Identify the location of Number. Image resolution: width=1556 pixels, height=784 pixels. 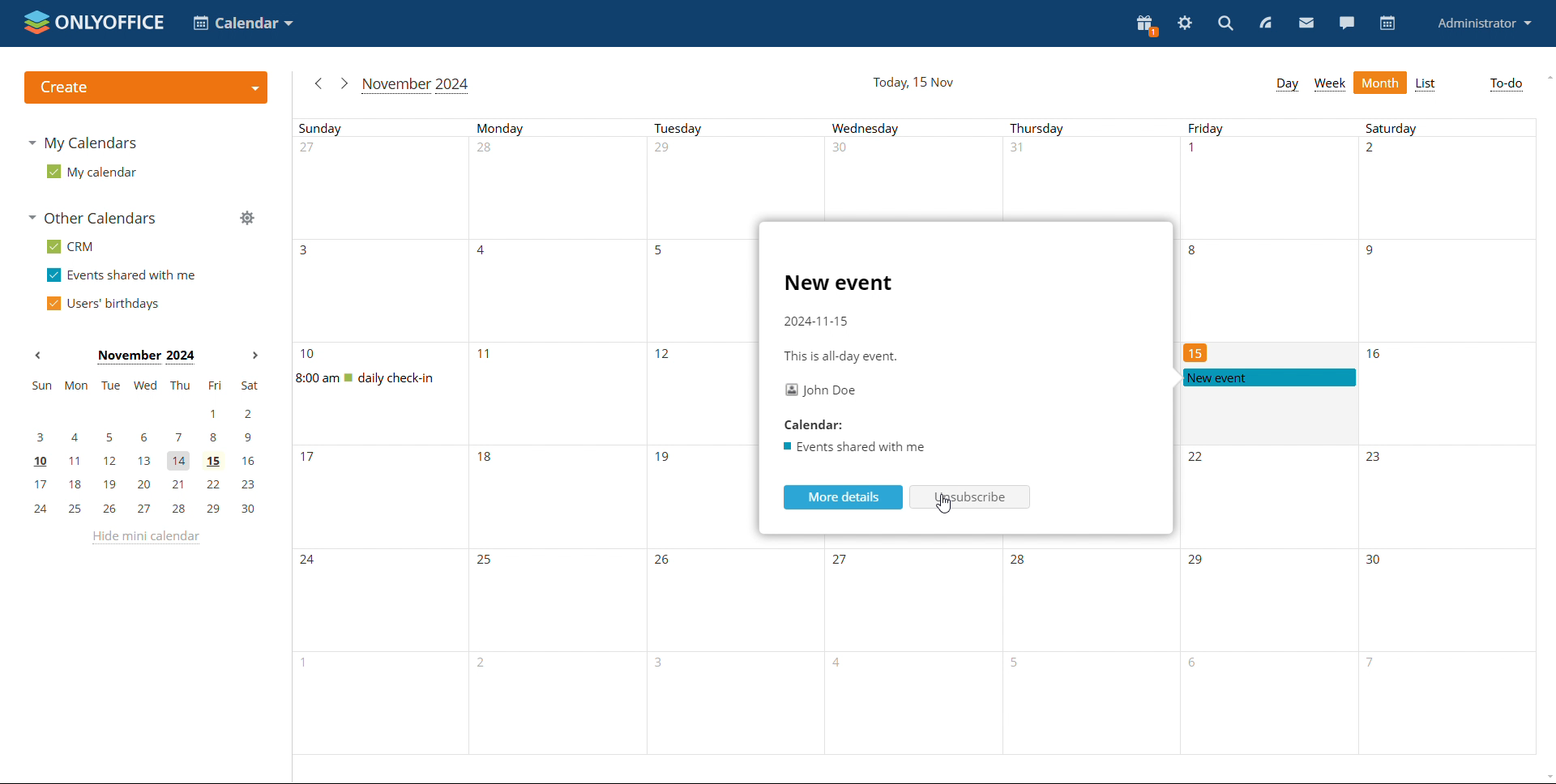
(1197, 460).